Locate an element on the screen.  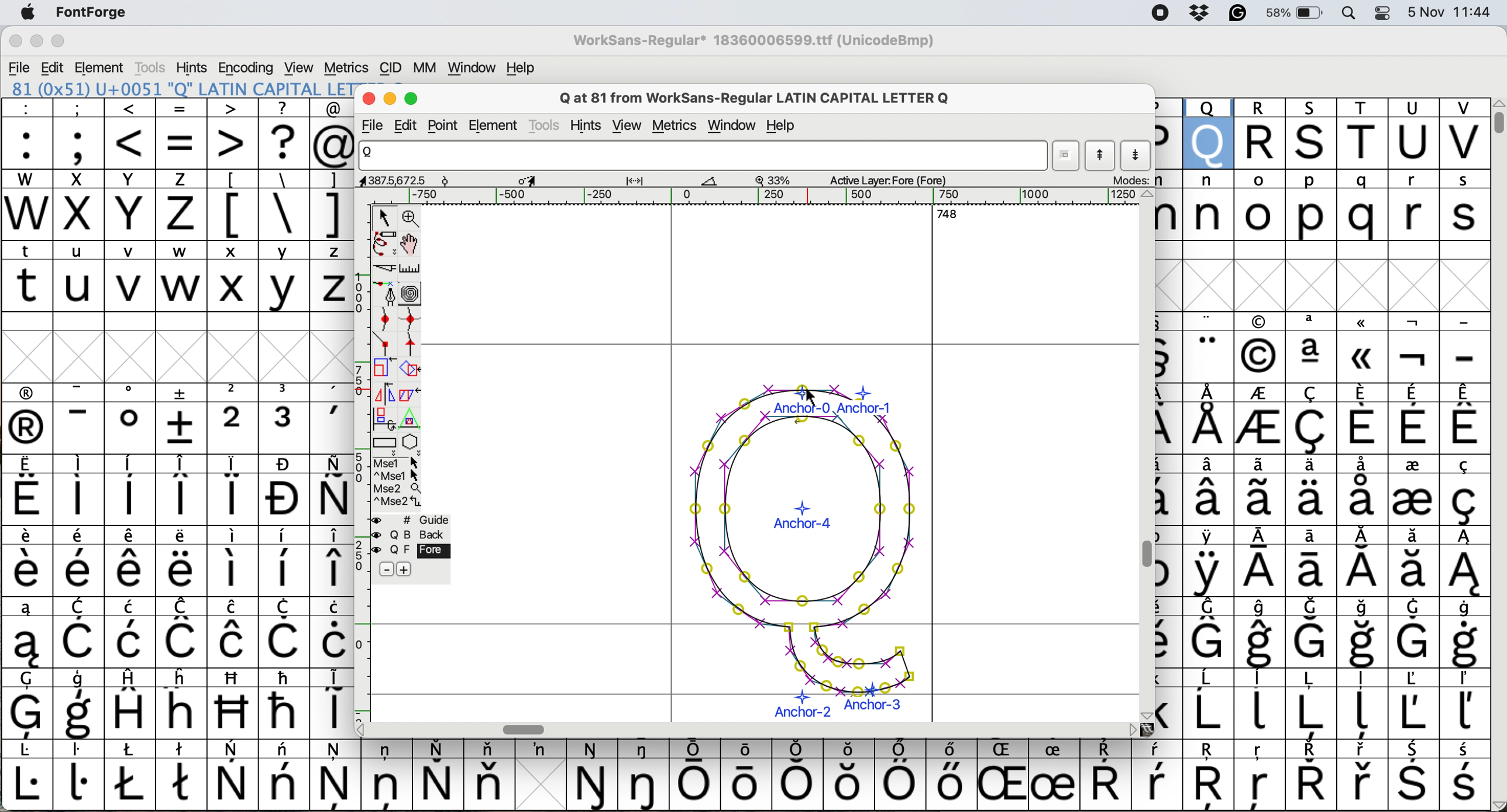
glyph is located at coordinates (793, 553).